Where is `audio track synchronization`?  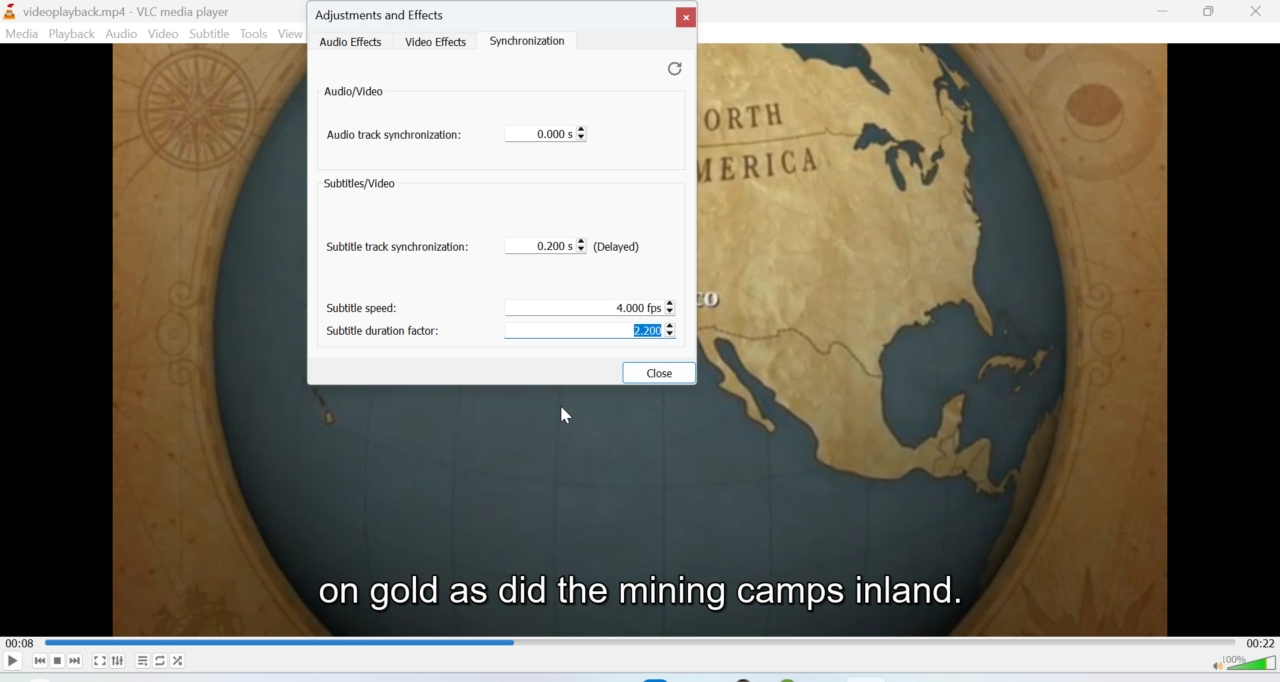
audio track synchronization is located at coordinates (395, 139).